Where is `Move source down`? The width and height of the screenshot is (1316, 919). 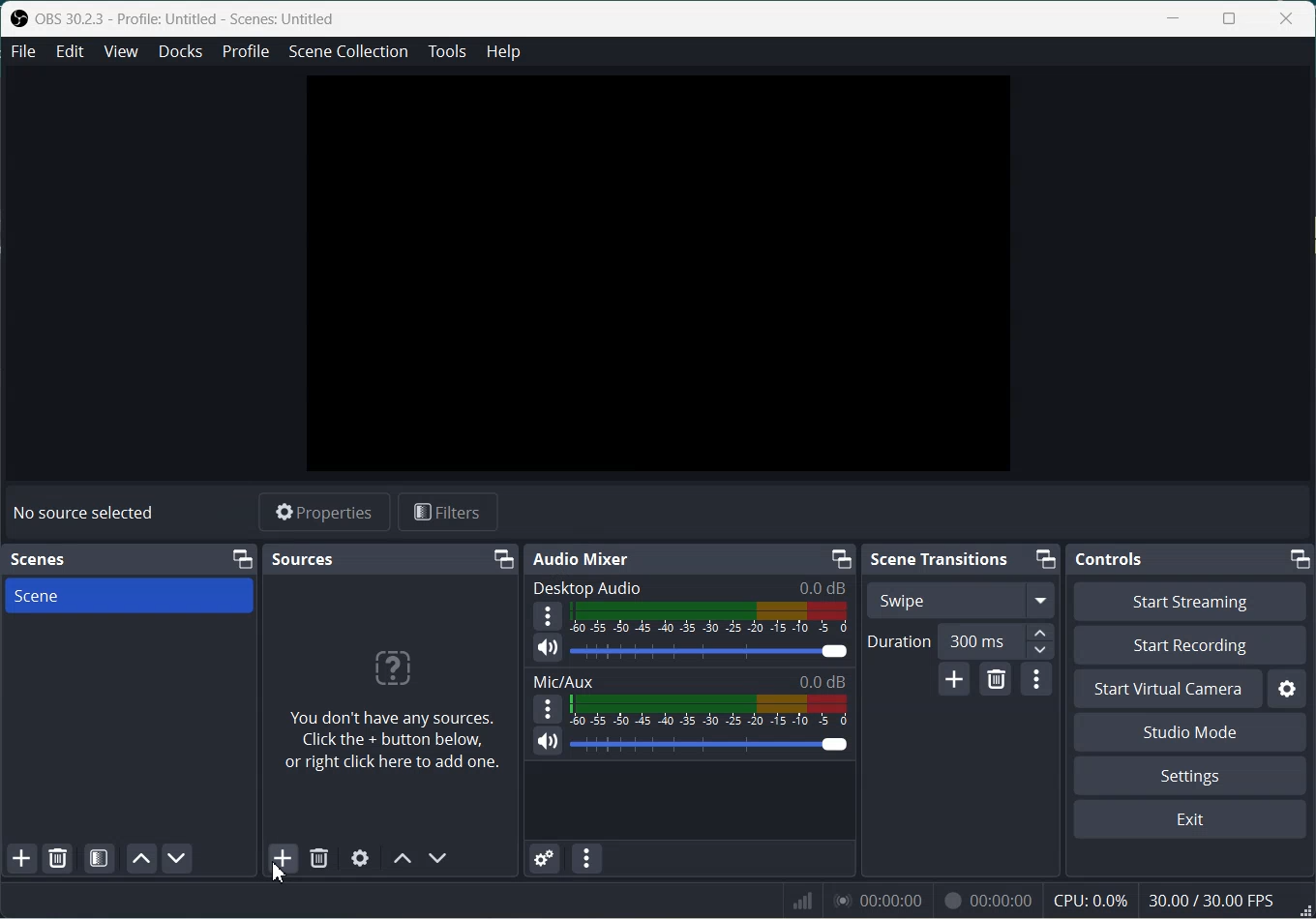 Move source down is located at coordinates (438, 858).